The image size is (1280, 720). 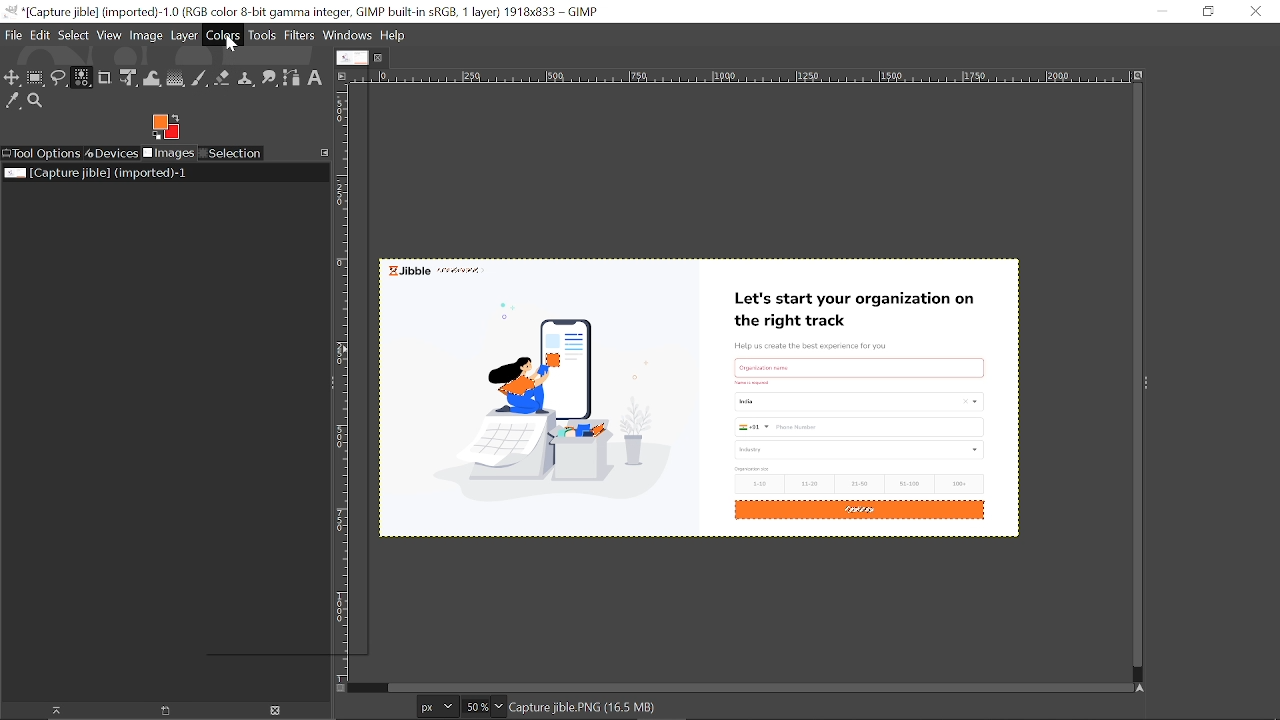 What do you see at coordinates (346, 384) in the screenshot?
I see `Vertical label` at bounding box center [346, 384].